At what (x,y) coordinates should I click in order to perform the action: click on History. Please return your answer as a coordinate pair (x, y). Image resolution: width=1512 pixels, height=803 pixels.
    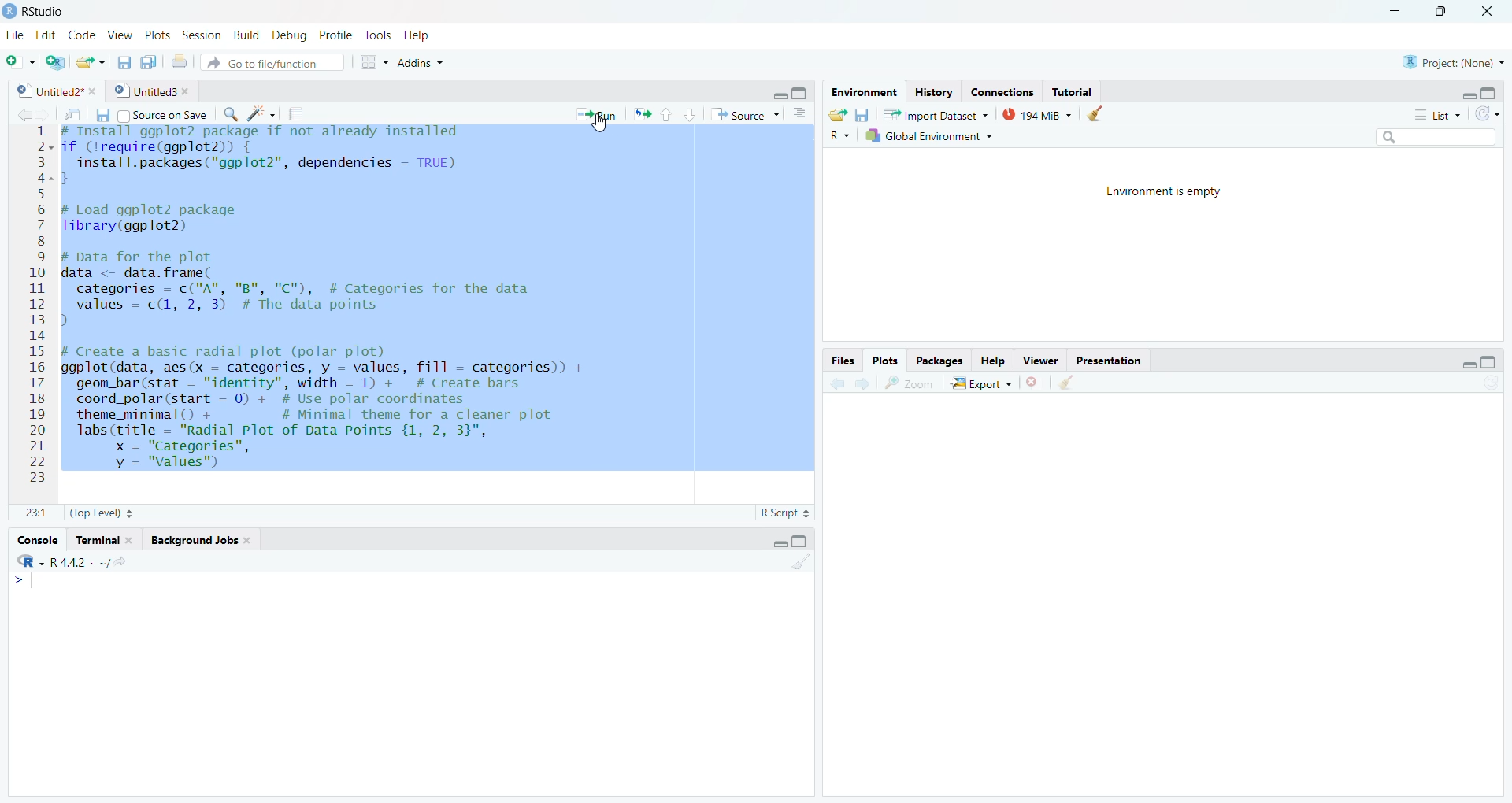
    Looking at the image, I should click on (935, 91).